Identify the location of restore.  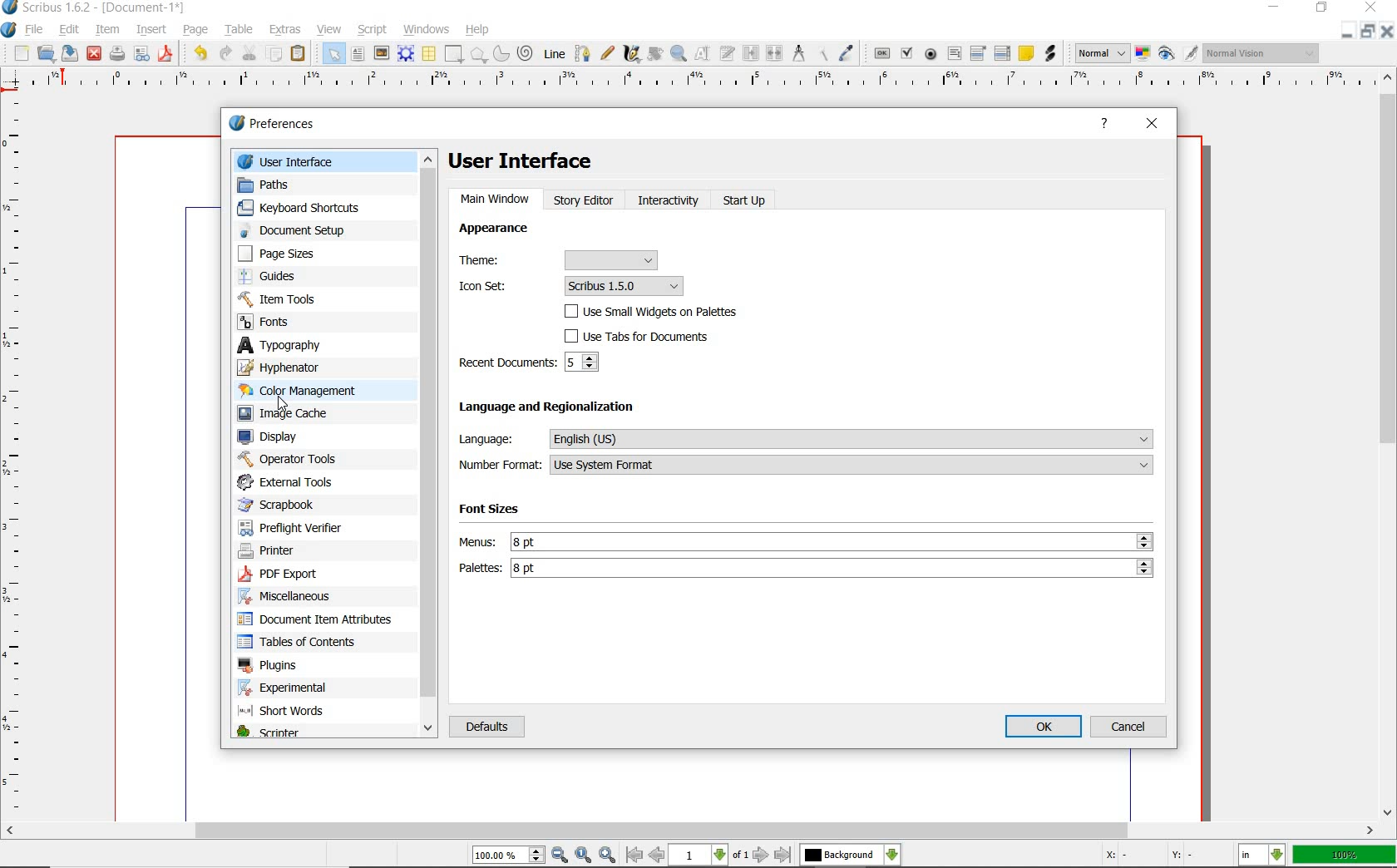
(1369, 33).